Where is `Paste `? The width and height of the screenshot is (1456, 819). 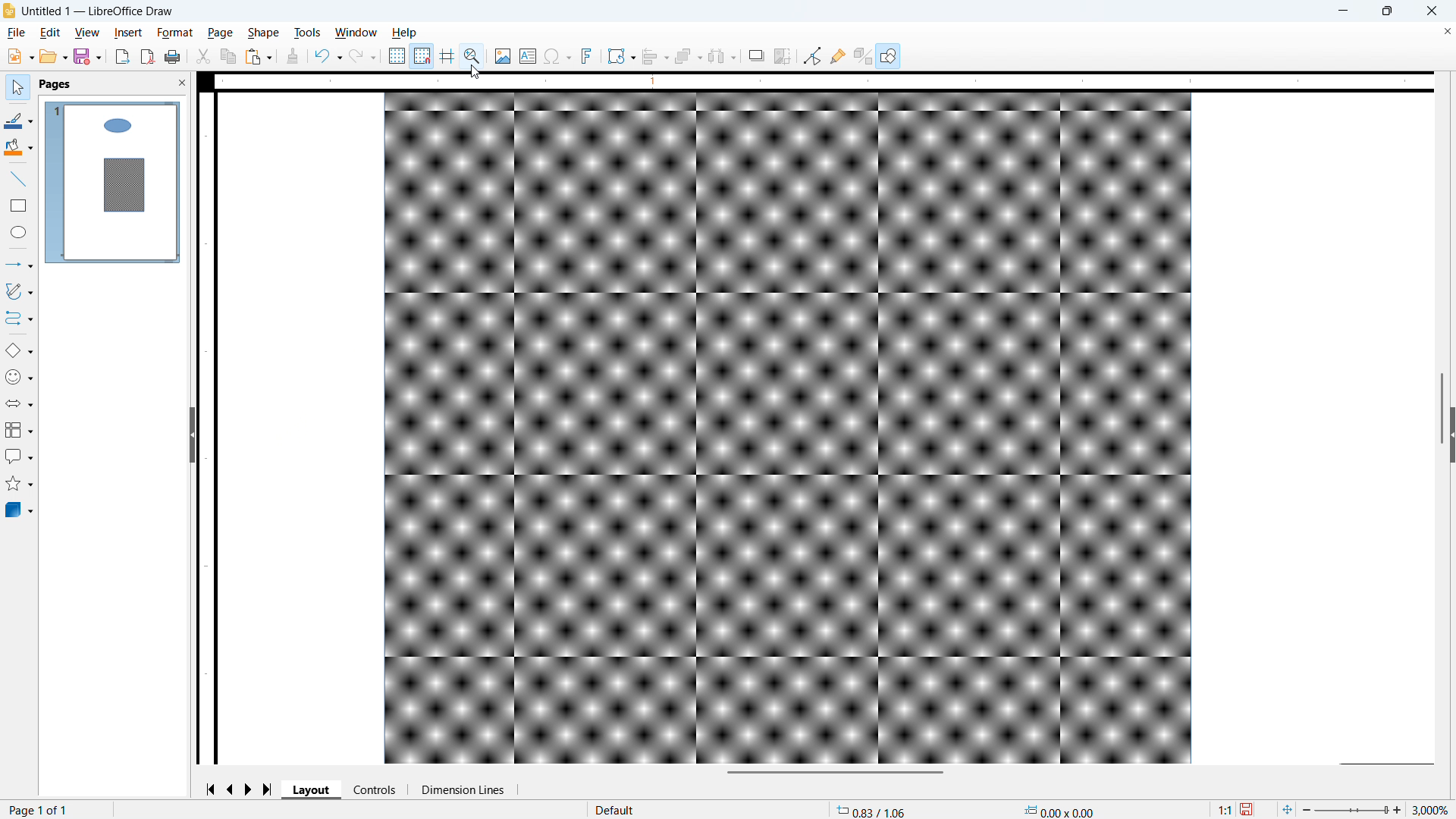
Paste  is located at coordinates (259, 56).